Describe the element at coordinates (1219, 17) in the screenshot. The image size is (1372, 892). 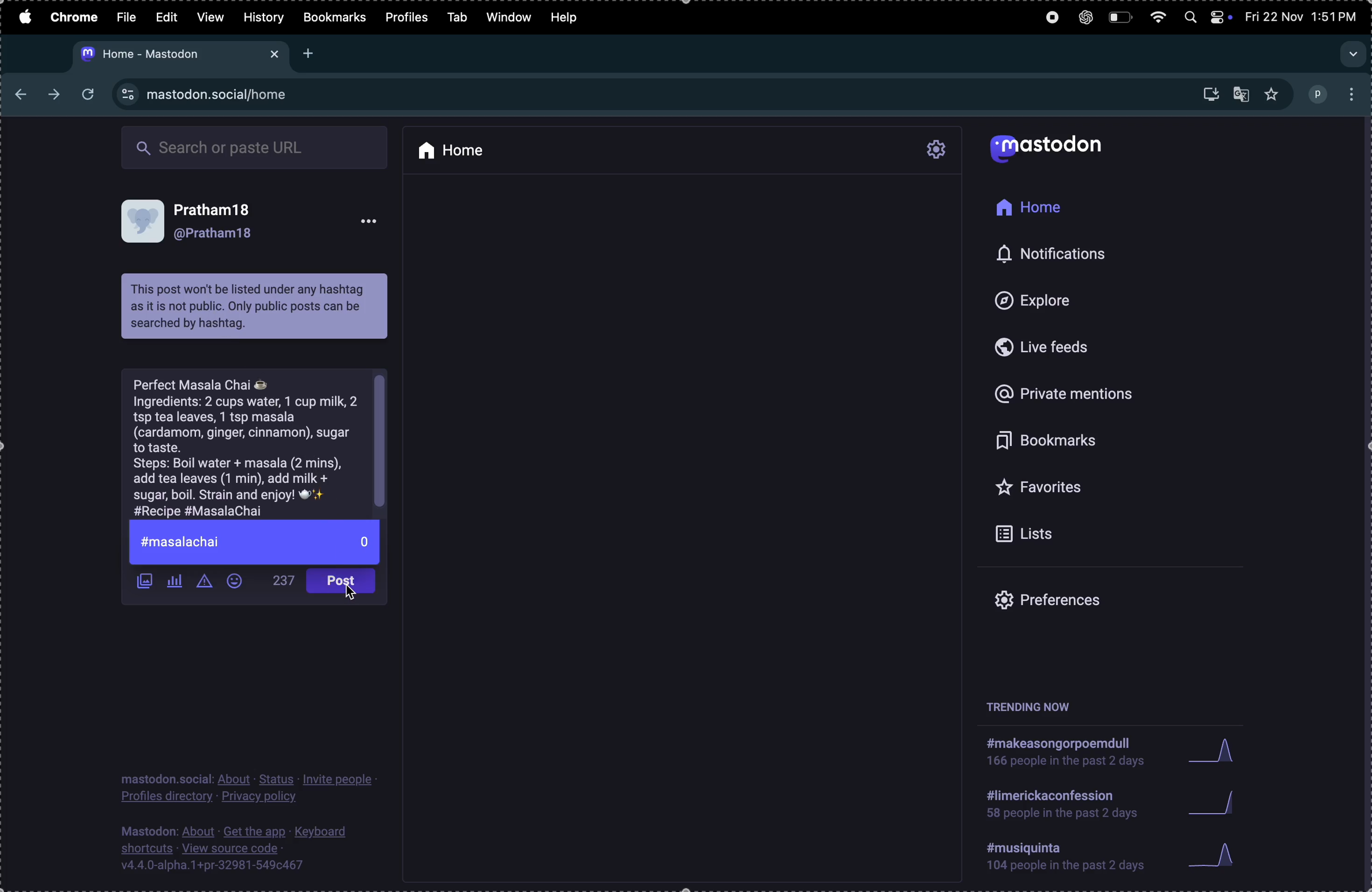
I see `apple widgets` at that location.